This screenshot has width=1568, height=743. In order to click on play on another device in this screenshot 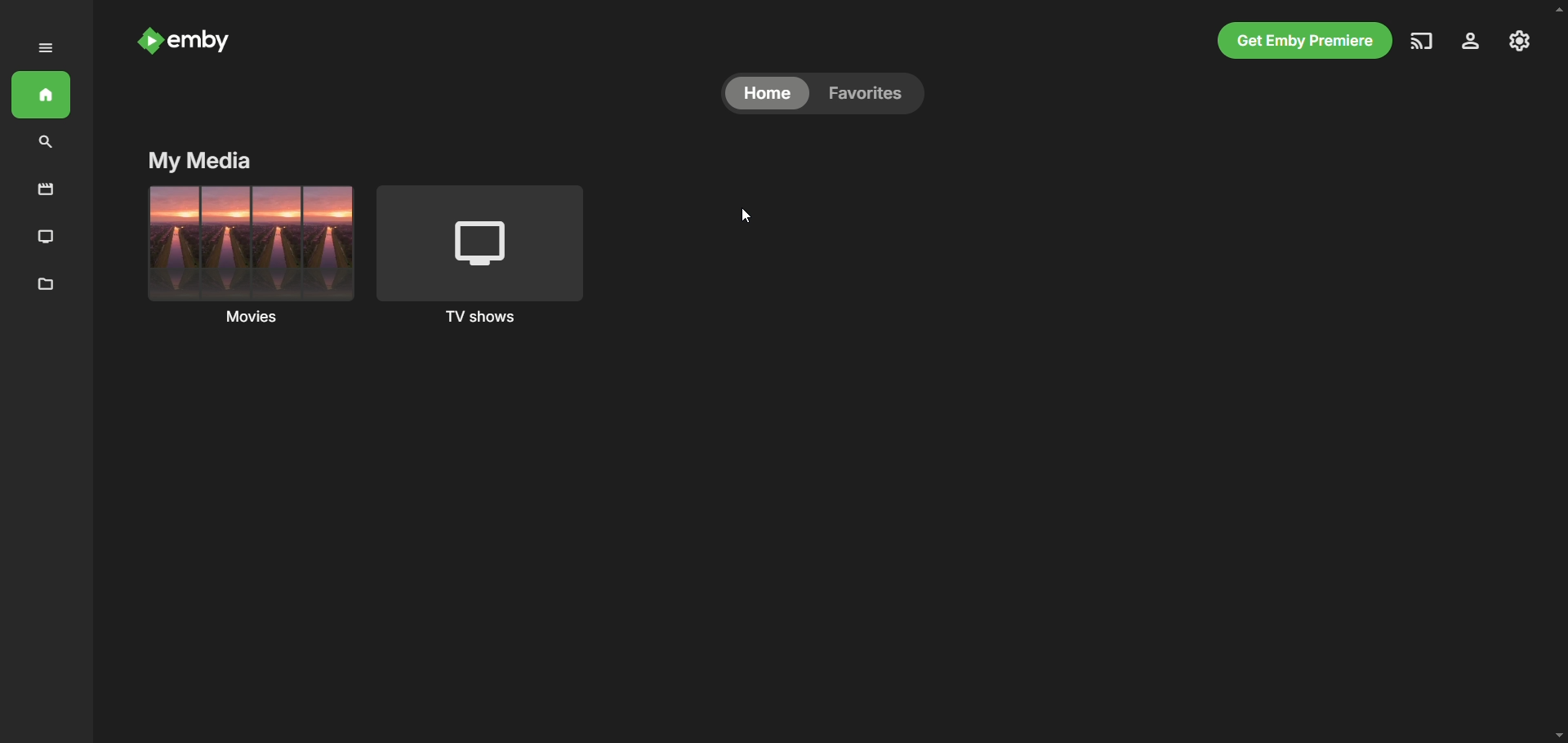, I will do `click(1424, 41)`.